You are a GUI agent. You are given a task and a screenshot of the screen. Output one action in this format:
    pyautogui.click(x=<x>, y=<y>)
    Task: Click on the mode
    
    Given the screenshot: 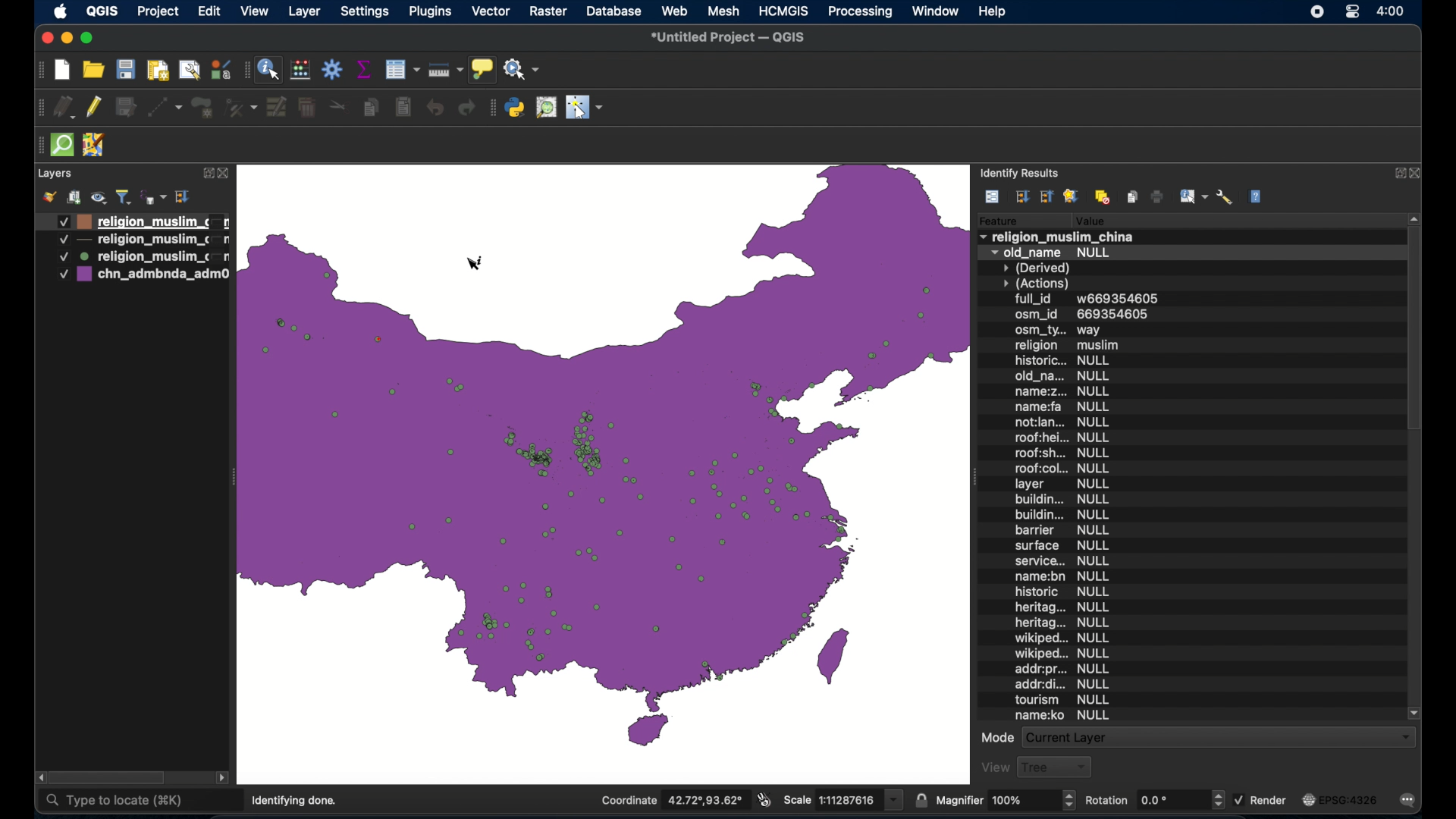 What is the action you would take?
    pyautogui.click(x=996, y=738)
    